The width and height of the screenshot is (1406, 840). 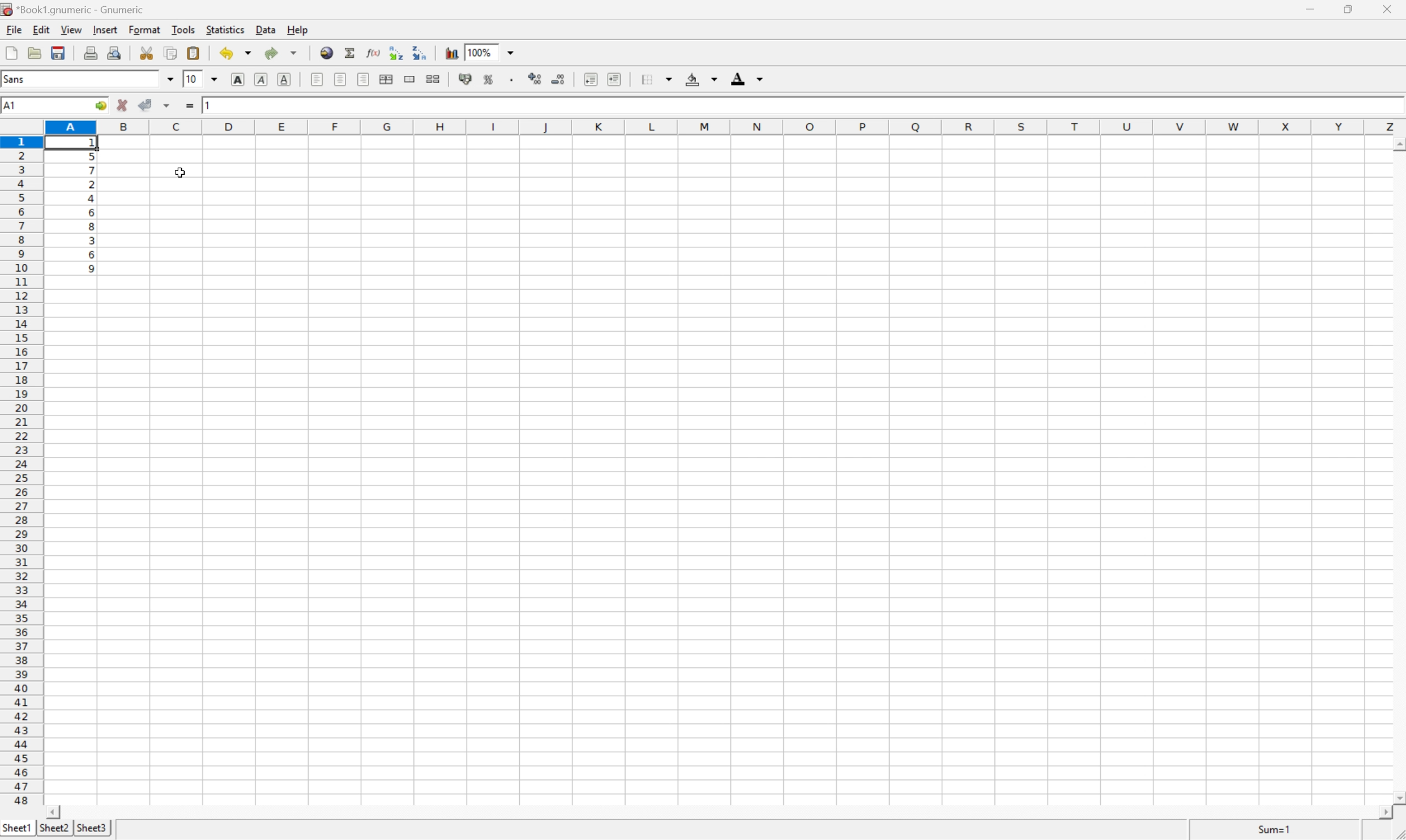 What do you see at coordinates (421, 54) in the screenshot?
I see `Sort the selected region in descending order based on the first column selected` at bounding box center [421, 54].